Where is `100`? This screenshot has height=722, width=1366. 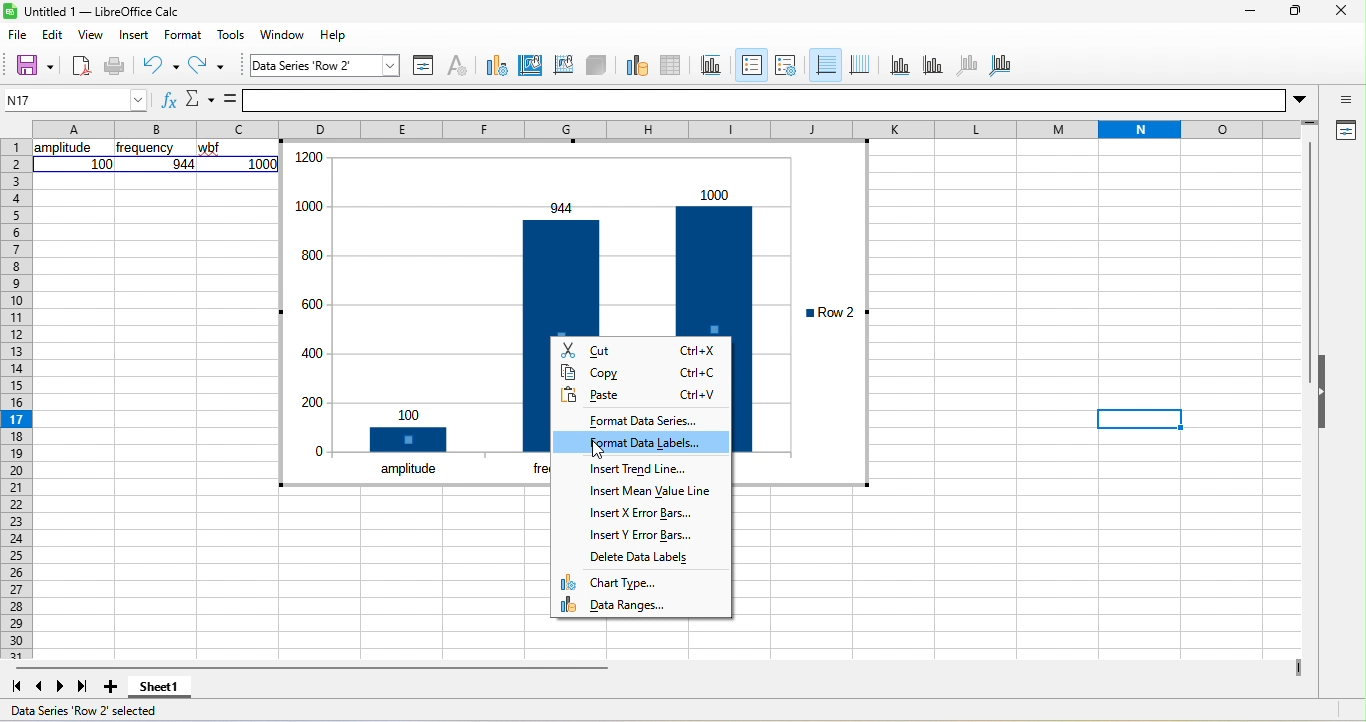
100 is located at coordinates (102, 164).